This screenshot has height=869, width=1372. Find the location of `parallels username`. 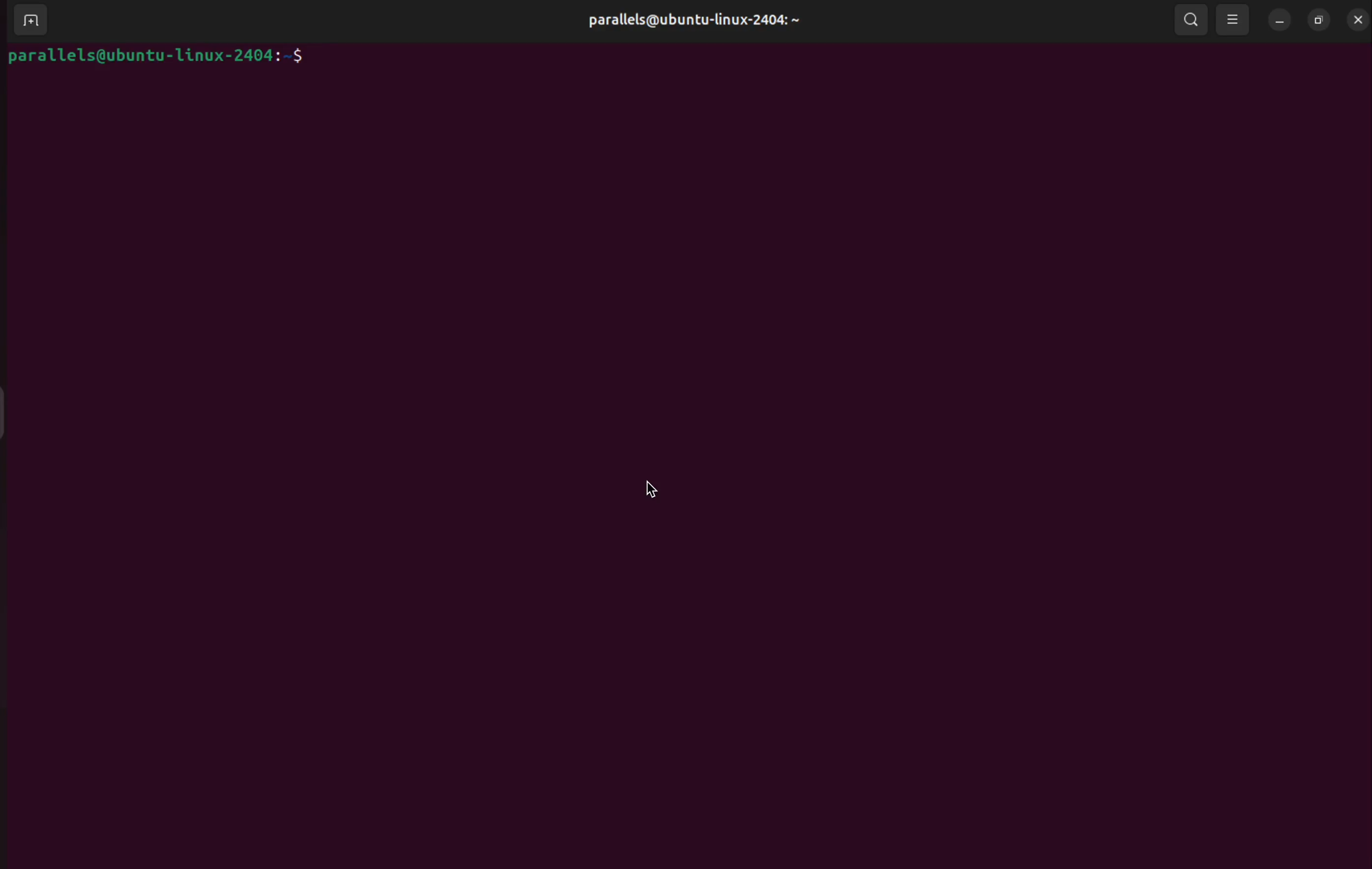

parallels username is located at coordinates (687, 22).